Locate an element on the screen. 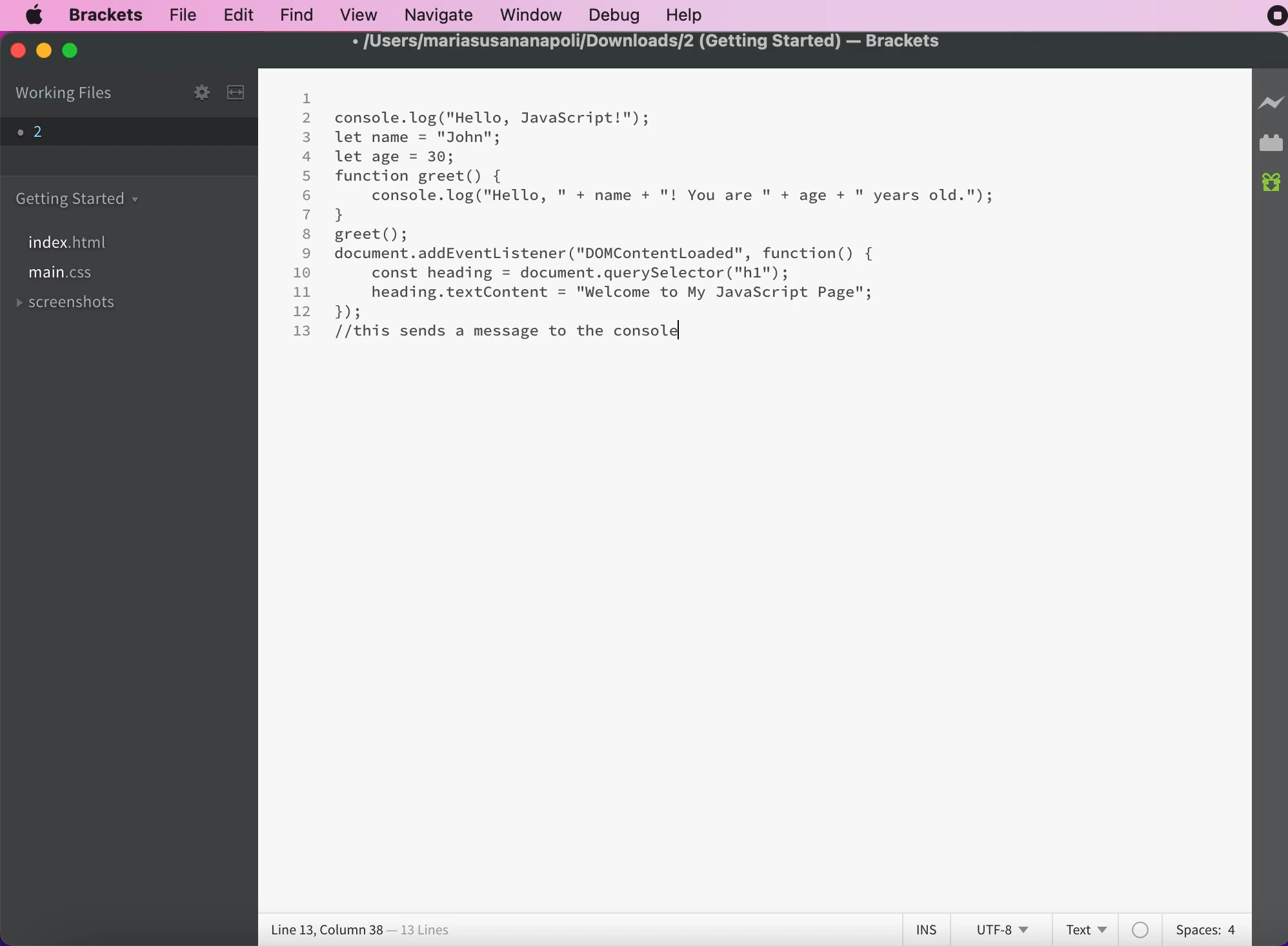 This screenshot has height=946, width=1288. recording stopped is located at coordinates (1271, 18).